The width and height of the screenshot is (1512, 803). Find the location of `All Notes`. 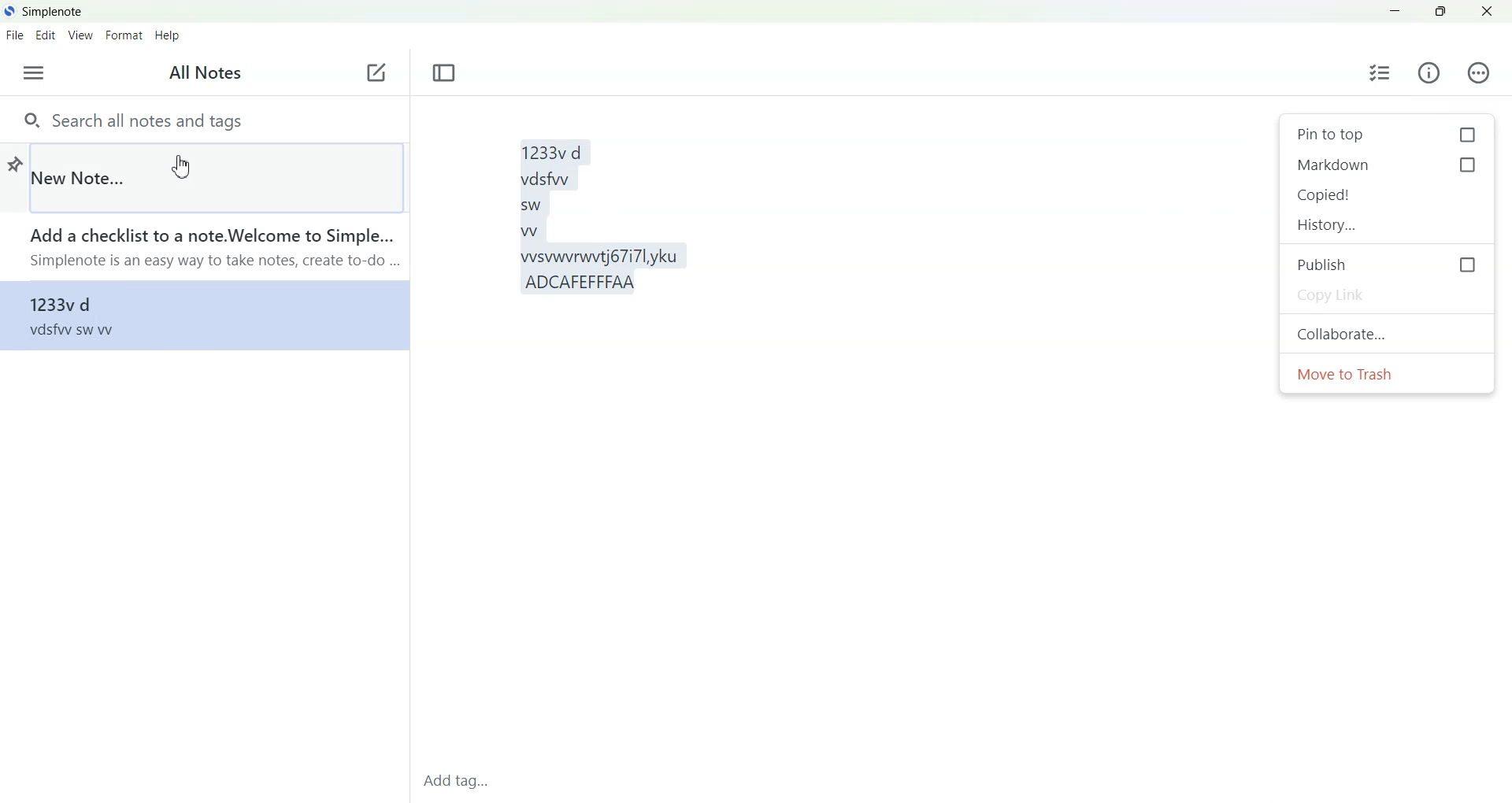

All Notes is located at coordinates (208, 74).